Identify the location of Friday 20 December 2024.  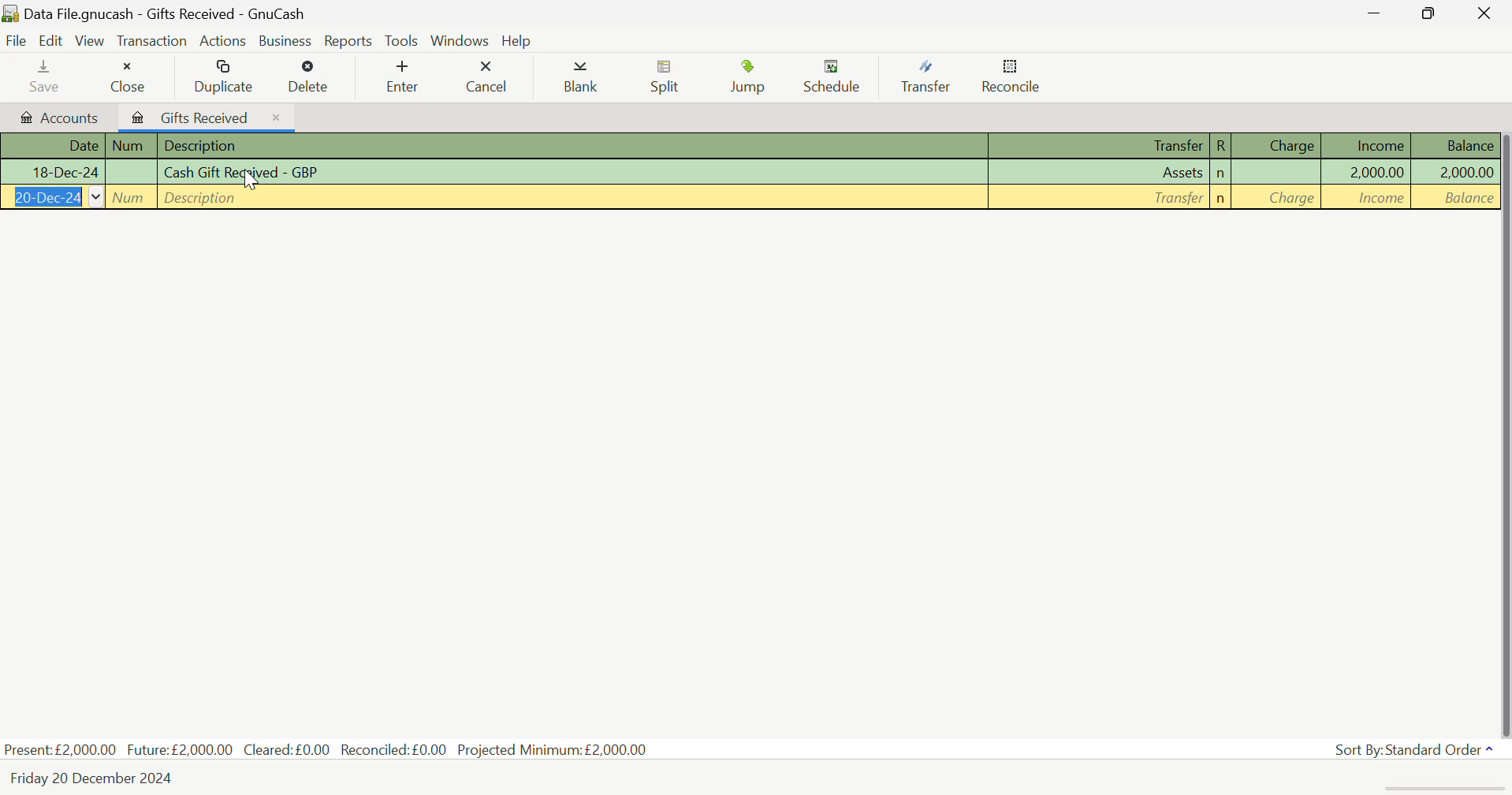
(99, 778).